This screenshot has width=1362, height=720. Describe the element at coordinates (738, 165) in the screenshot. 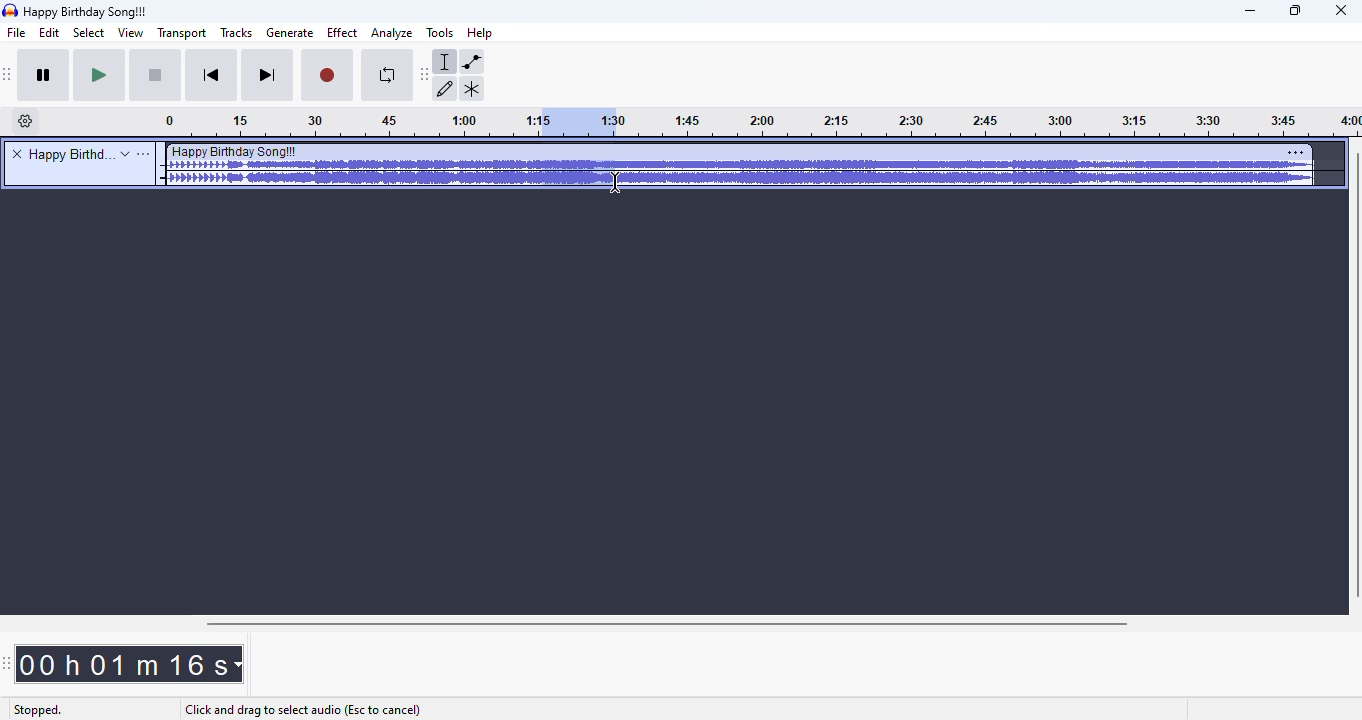

I see `audio track` at that location.